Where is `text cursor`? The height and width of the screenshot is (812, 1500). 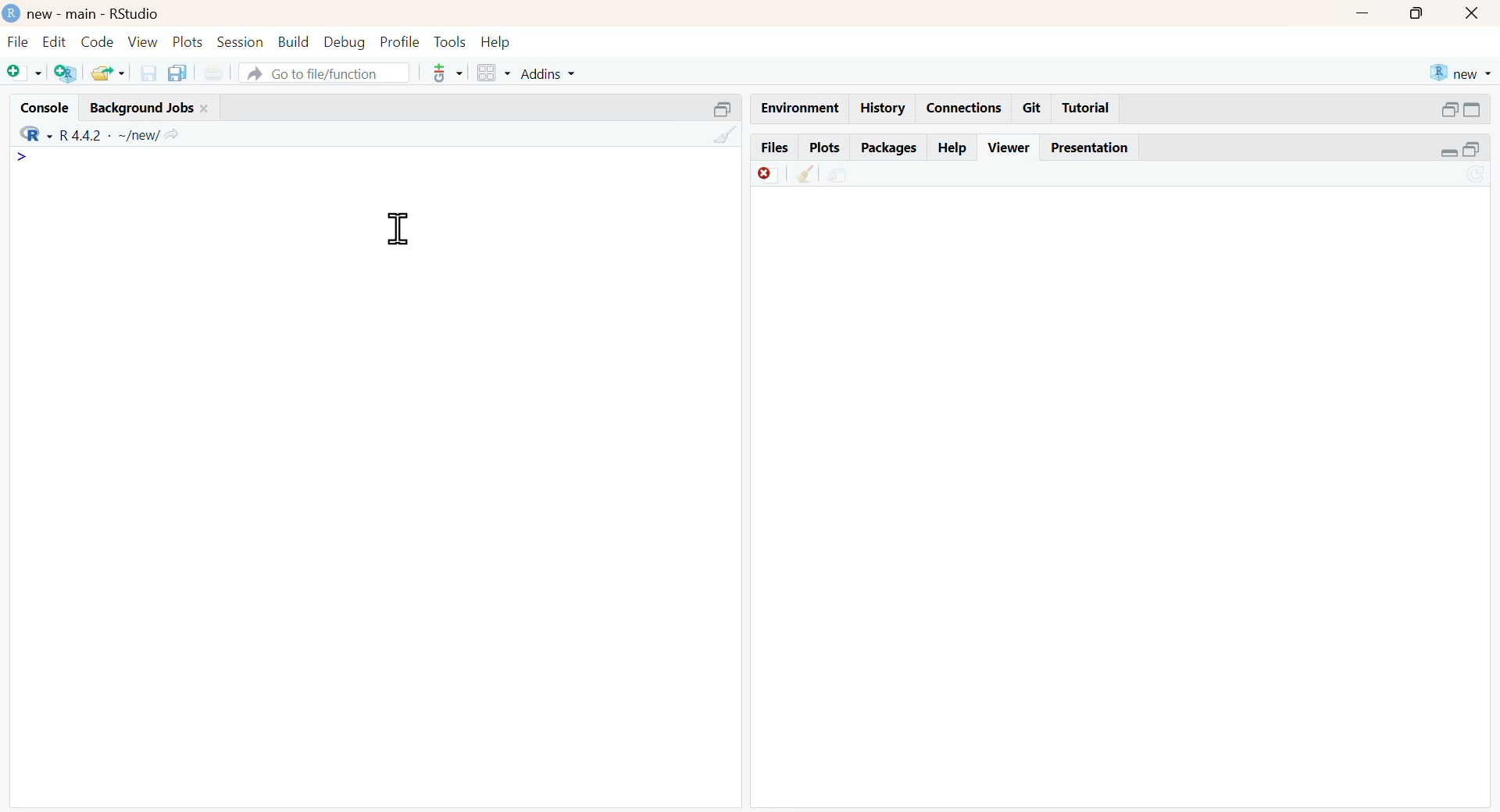 text cursor is located at coordinates (395, 229).